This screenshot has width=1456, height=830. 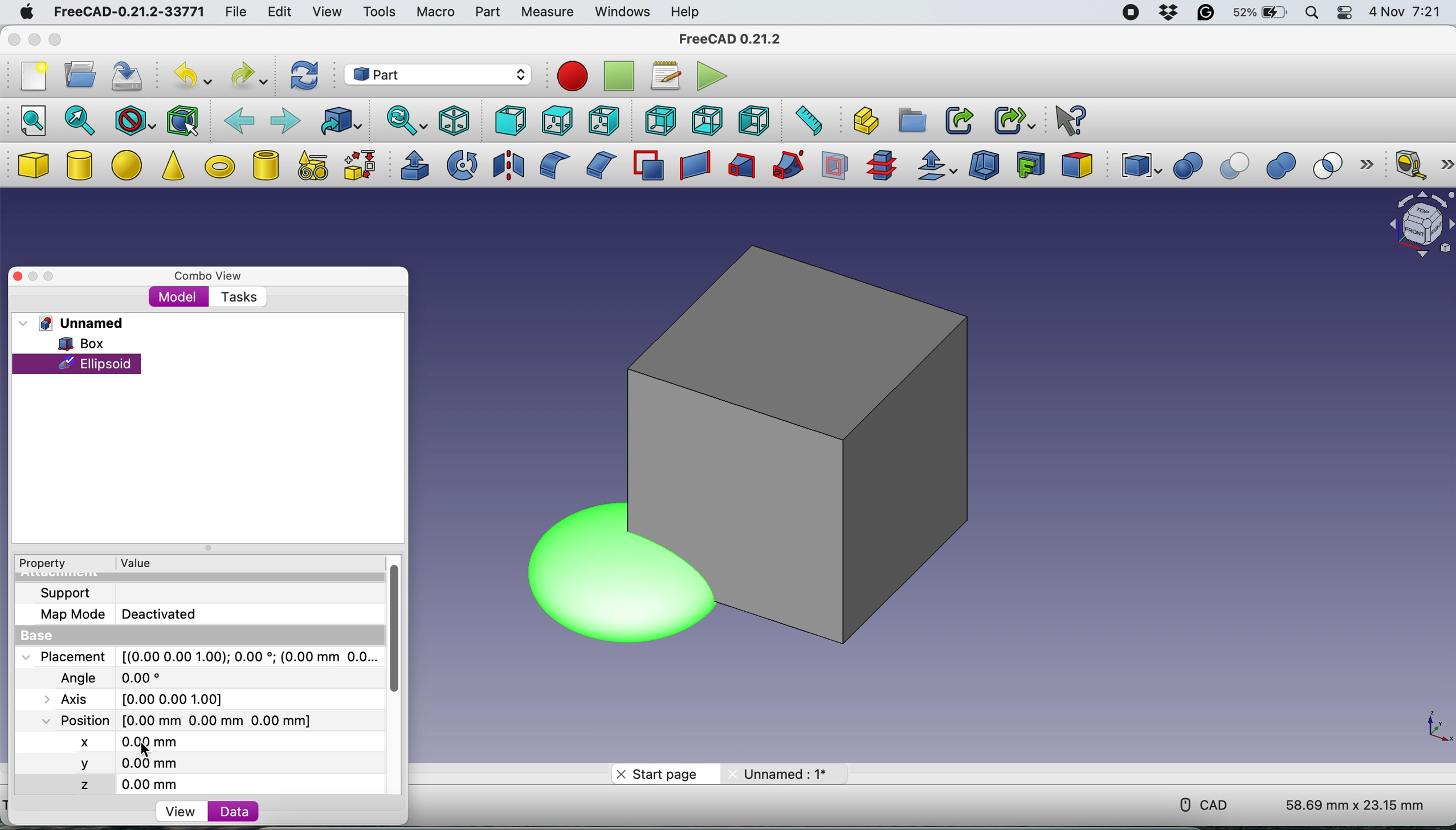 I want to click on create part, so click(x=863, y=121).